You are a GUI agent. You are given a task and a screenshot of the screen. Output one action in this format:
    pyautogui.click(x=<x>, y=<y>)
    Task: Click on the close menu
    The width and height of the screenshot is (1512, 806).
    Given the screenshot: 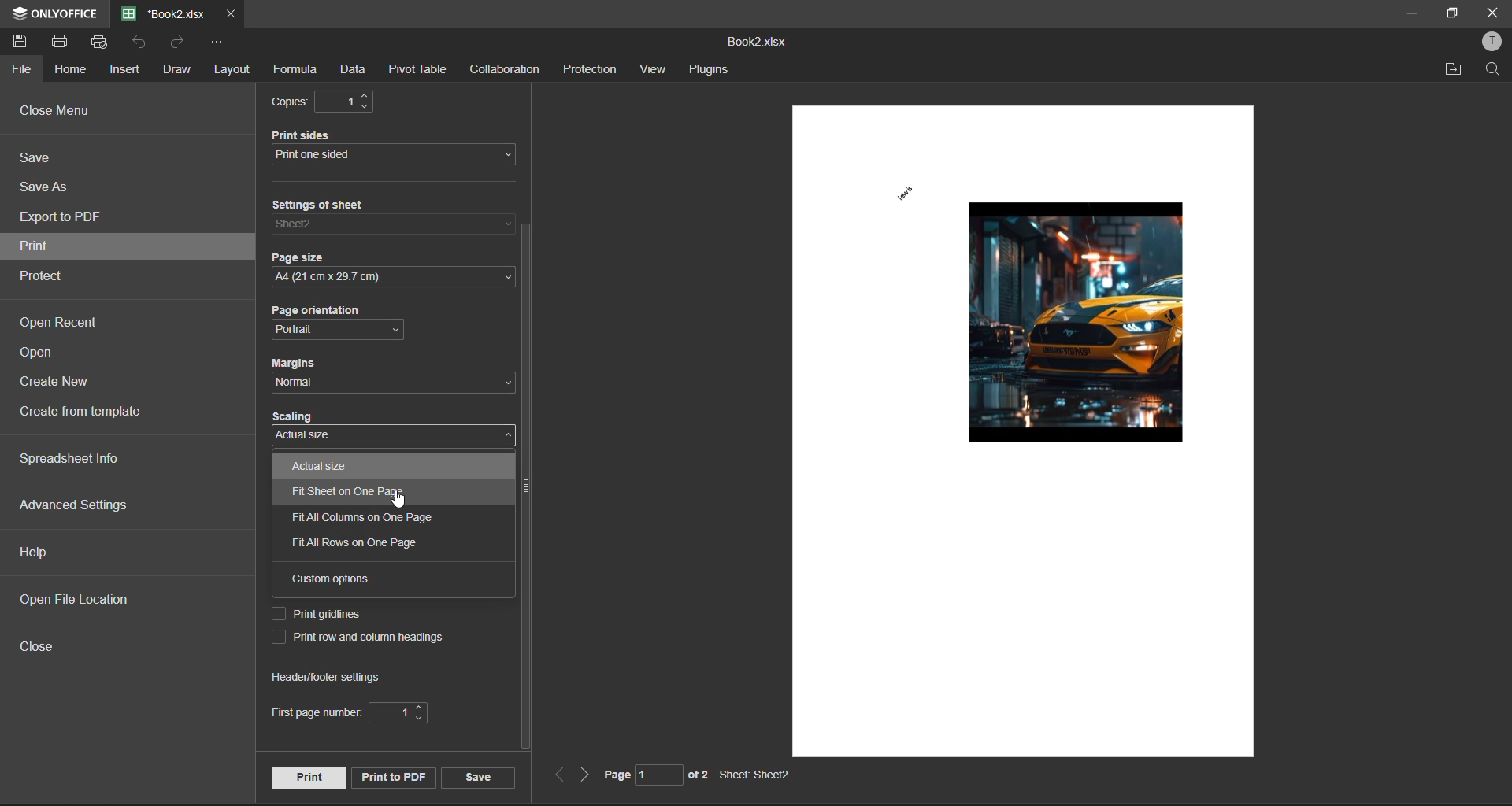 What is the action you would take?
    pyautogui.click(x=61, y=113)
    